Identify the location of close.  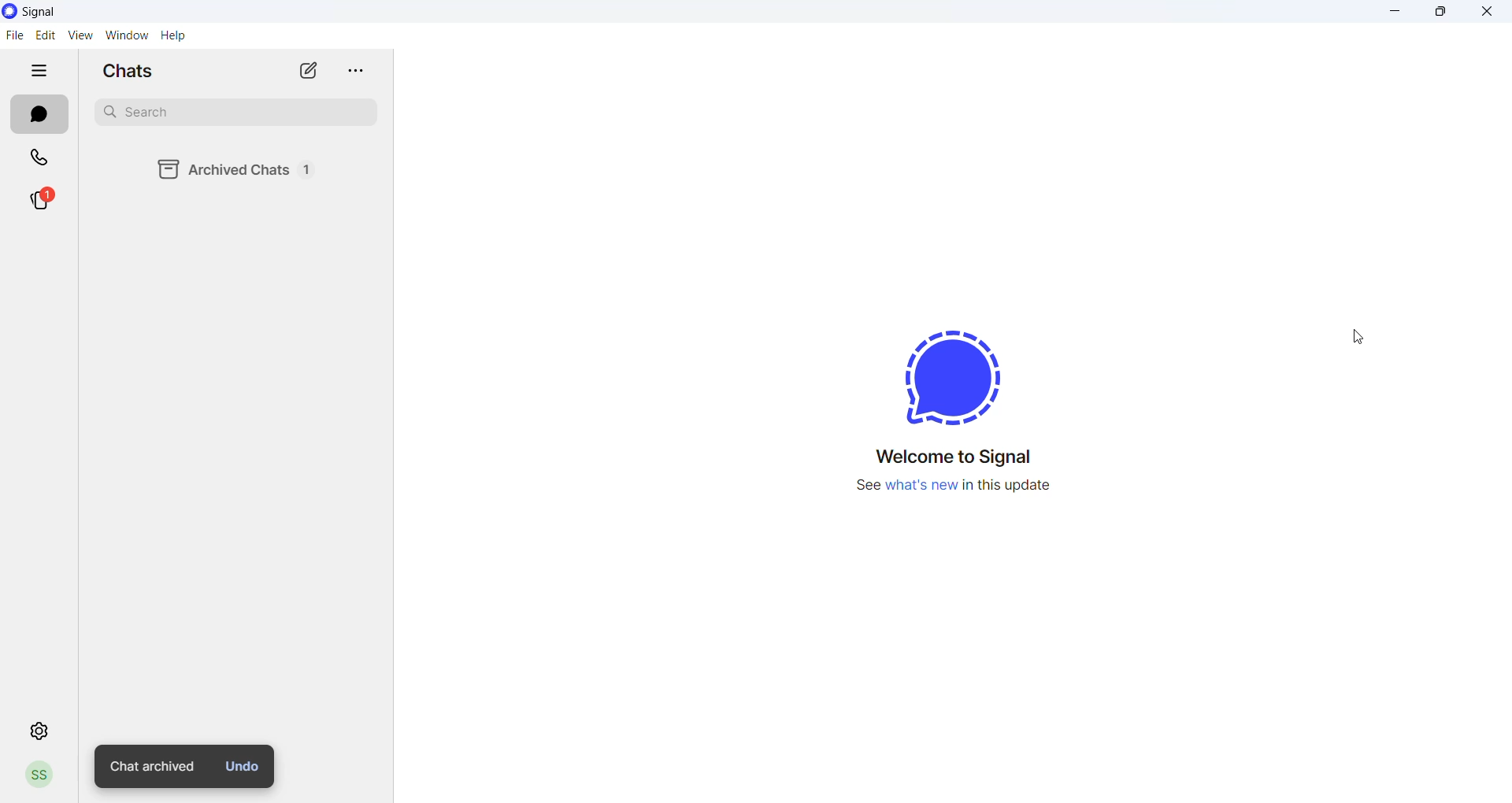
(1487, 9).